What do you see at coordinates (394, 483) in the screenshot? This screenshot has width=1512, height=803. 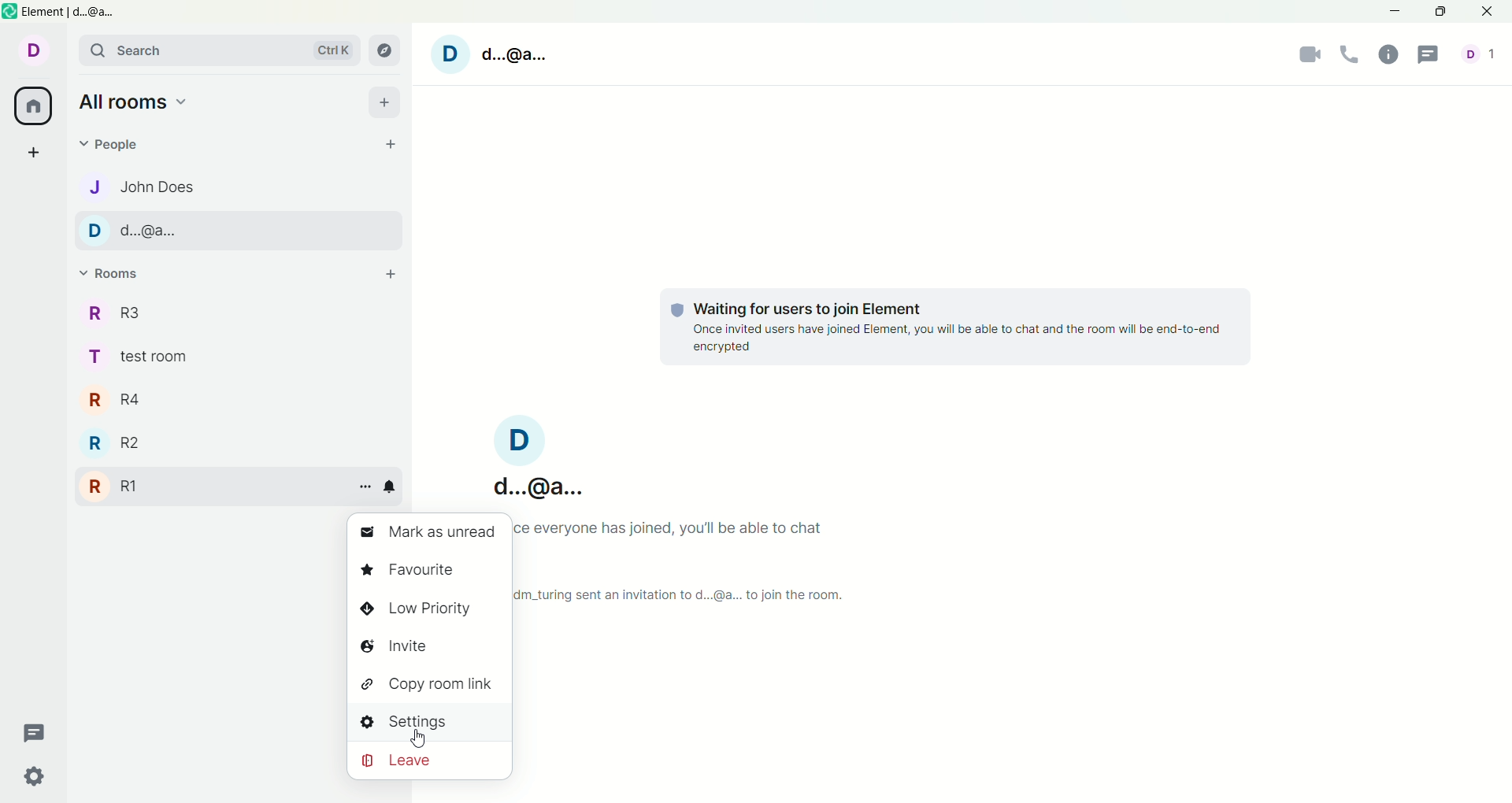 I see `notification` at bounding box center [394, 483].